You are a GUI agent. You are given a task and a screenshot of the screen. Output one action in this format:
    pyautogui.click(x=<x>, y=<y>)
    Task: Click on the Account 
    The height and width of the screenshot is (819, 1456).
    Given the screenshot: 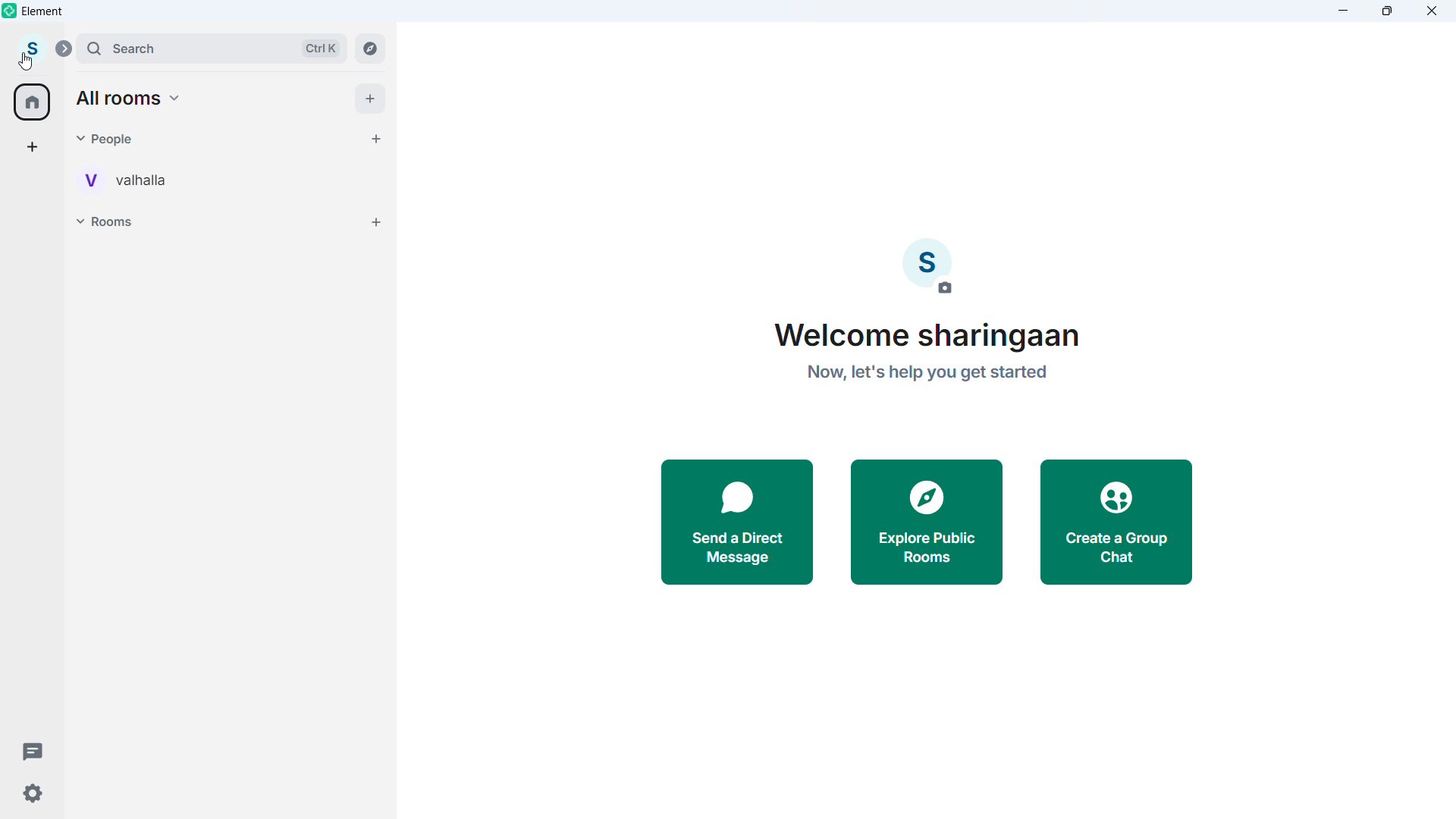 What is the action you would take?
    pyautogui.click(x=31, y=49)
    